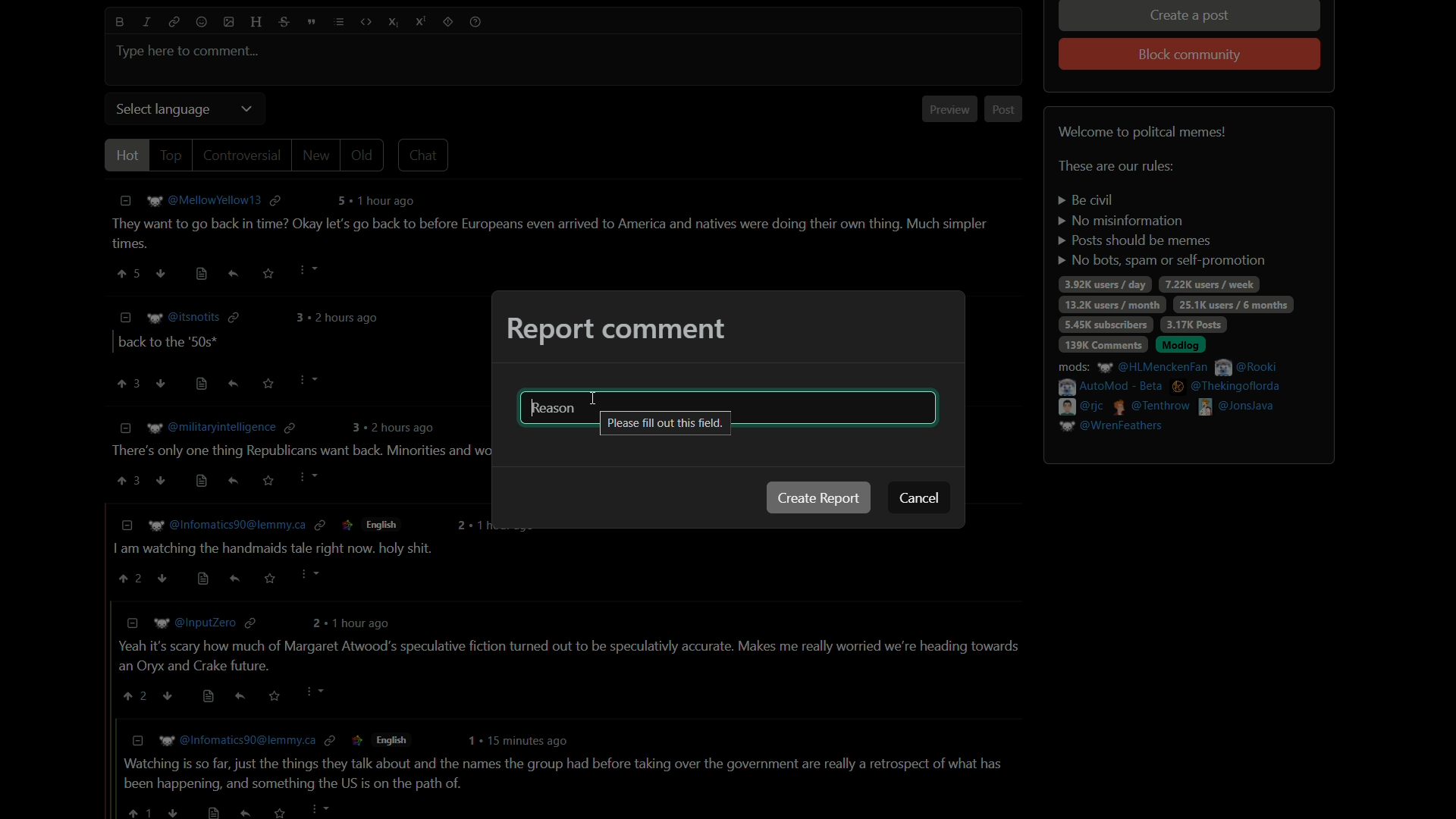  I want to click on 3.92k users/day, so click(1106, 284).